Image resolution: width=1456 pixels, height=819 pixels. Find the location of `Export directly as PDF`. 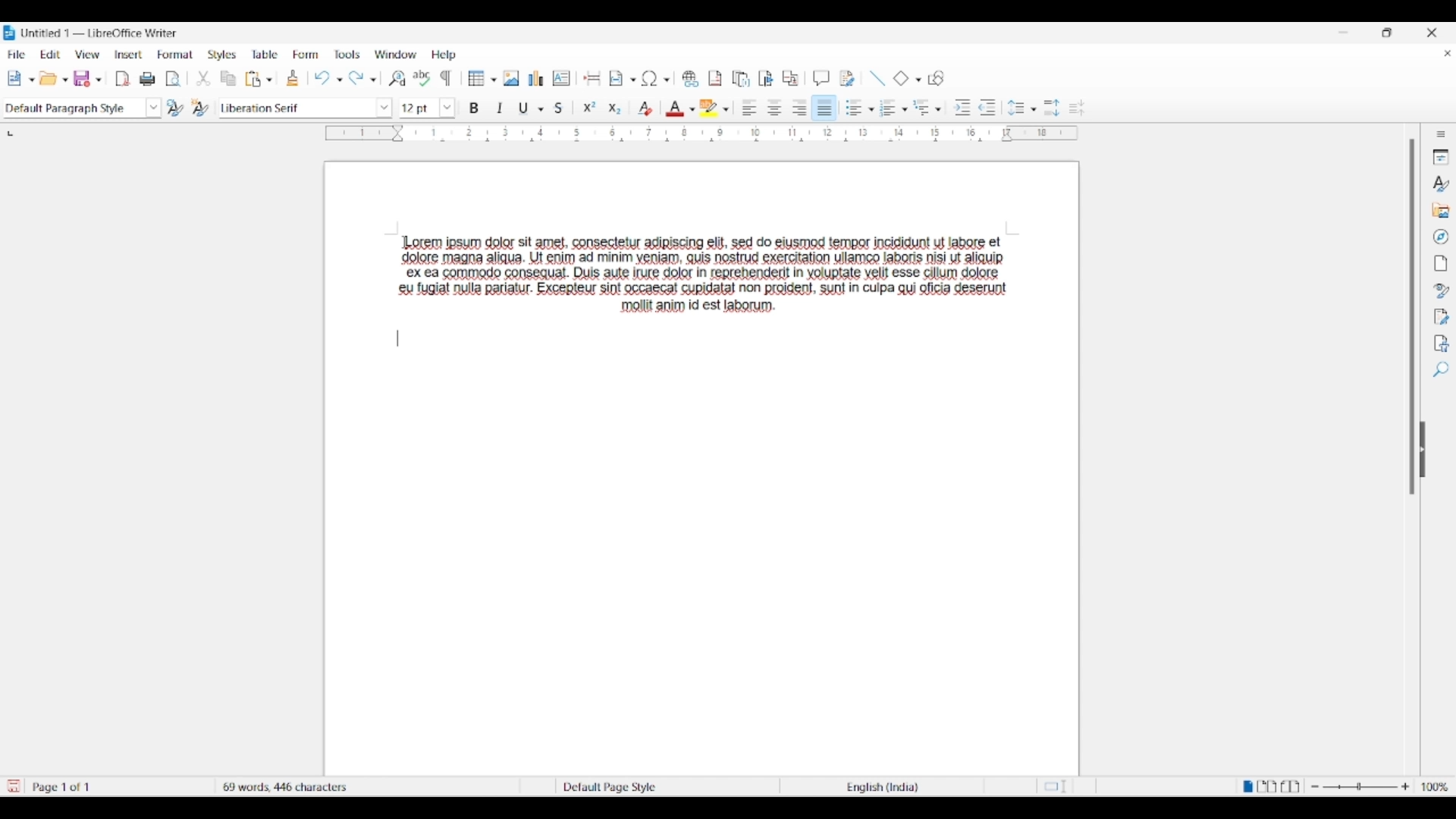

Export directly as PDF is located at coordinates (123, 79).